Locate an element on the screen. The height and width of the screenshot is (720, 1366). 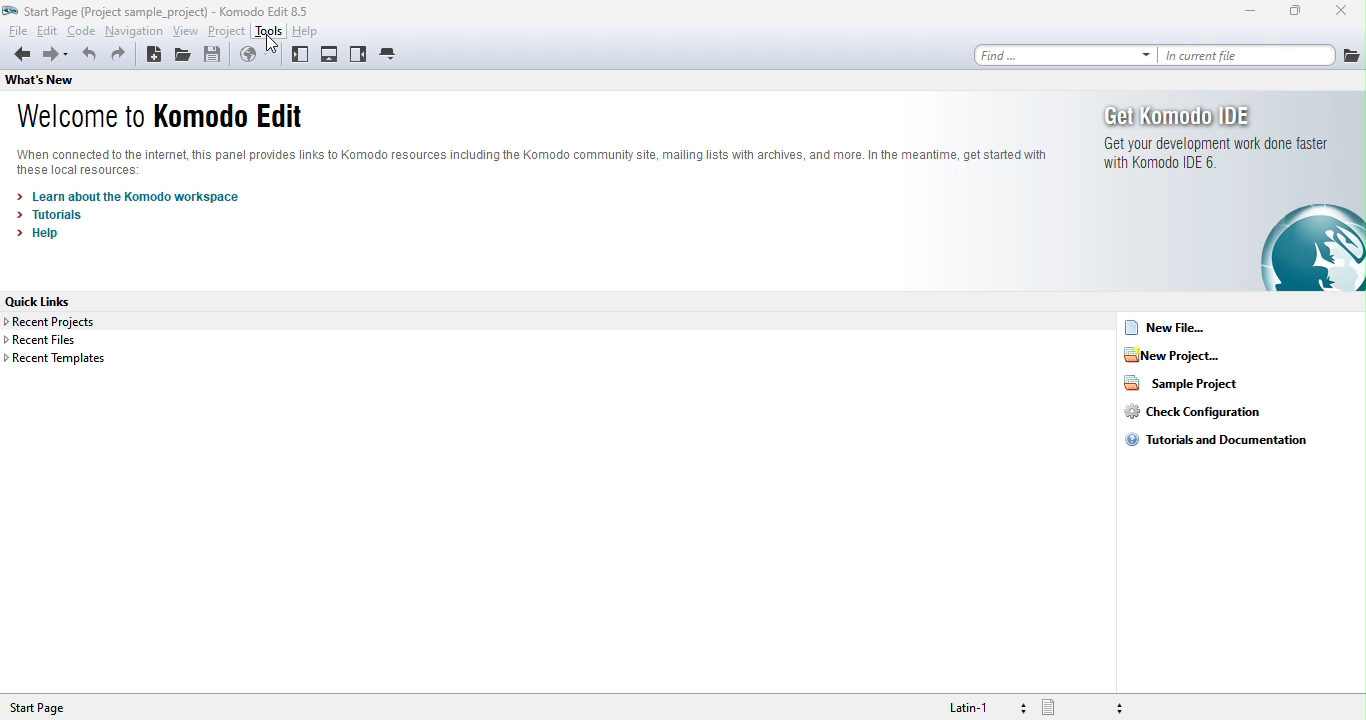
tools is located at coordinates (271, 32).